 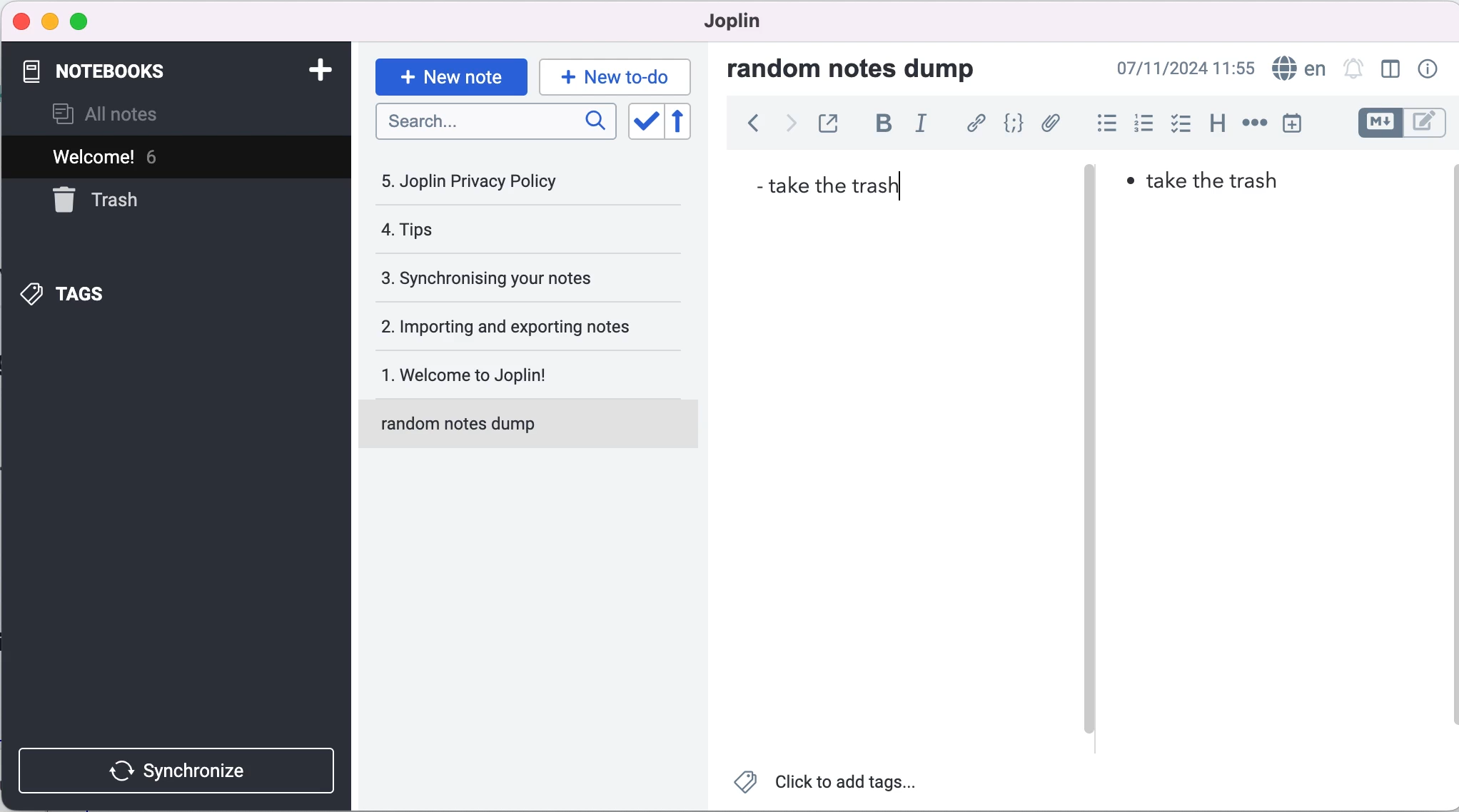 I want to click on joplin, so click(x=739, y=25).